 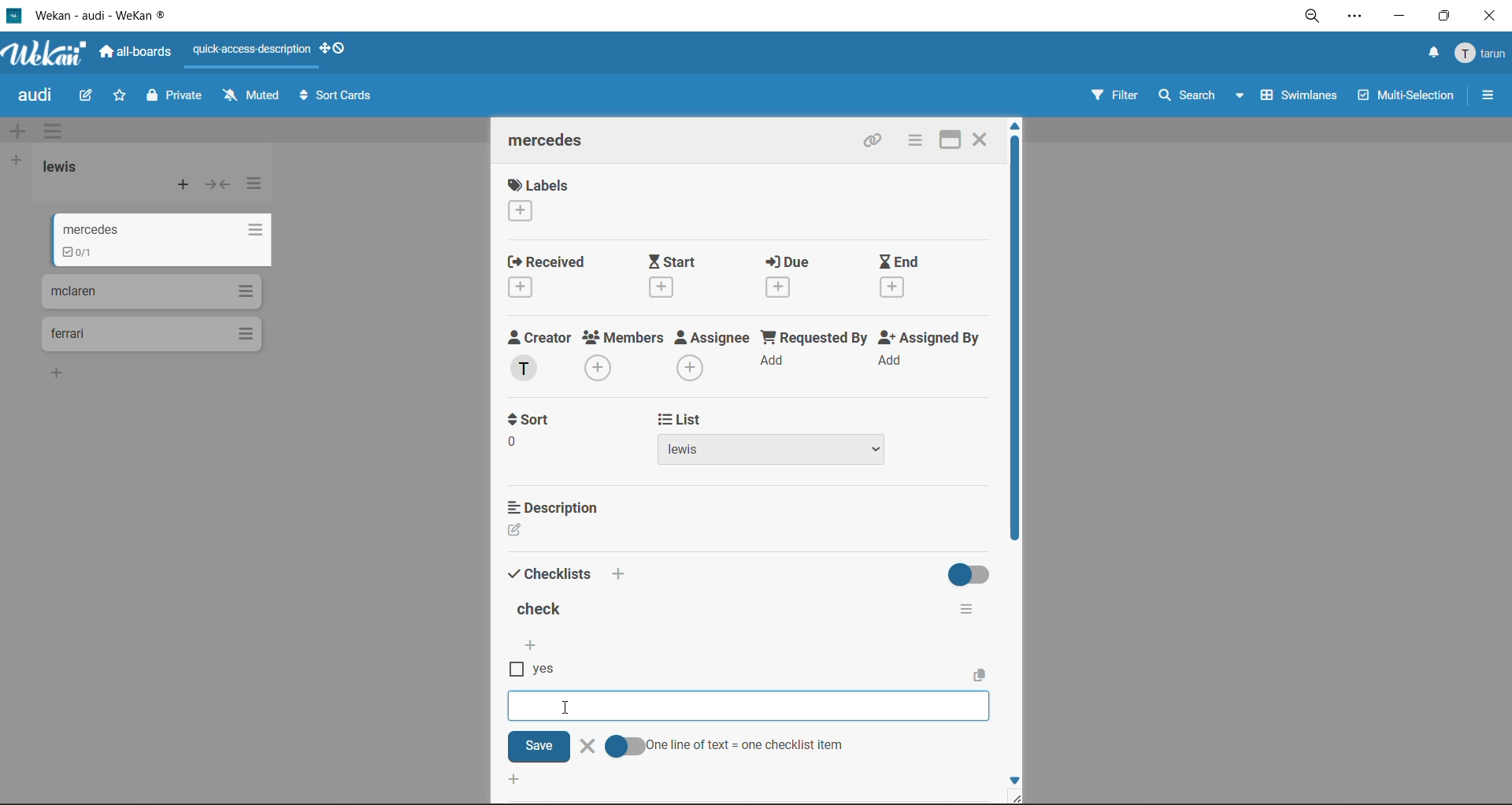 I want to click on assignee, so click(x=717, y=358).